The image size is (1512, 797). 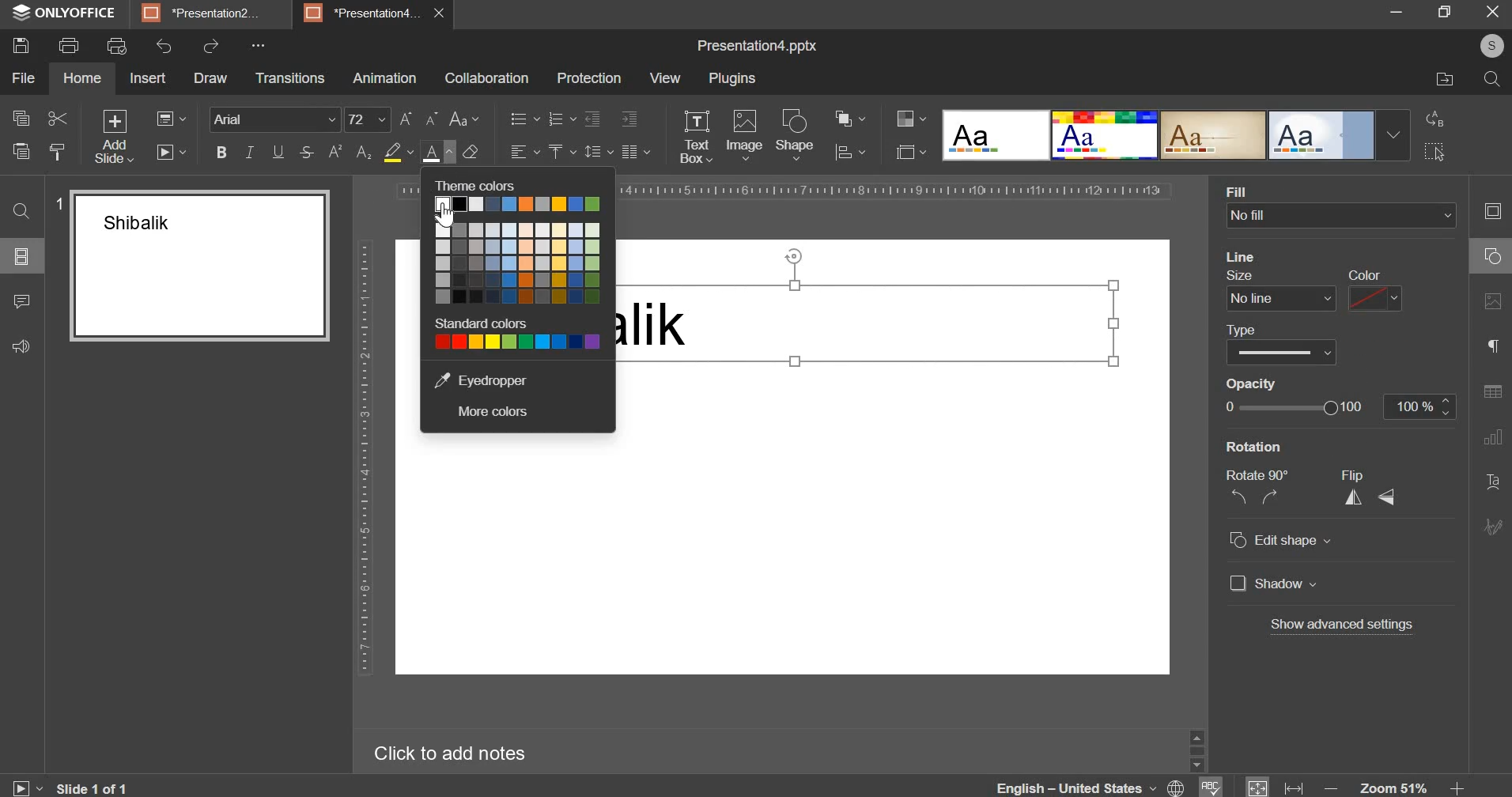 I want to click on size, so click(x=1277, y=291).